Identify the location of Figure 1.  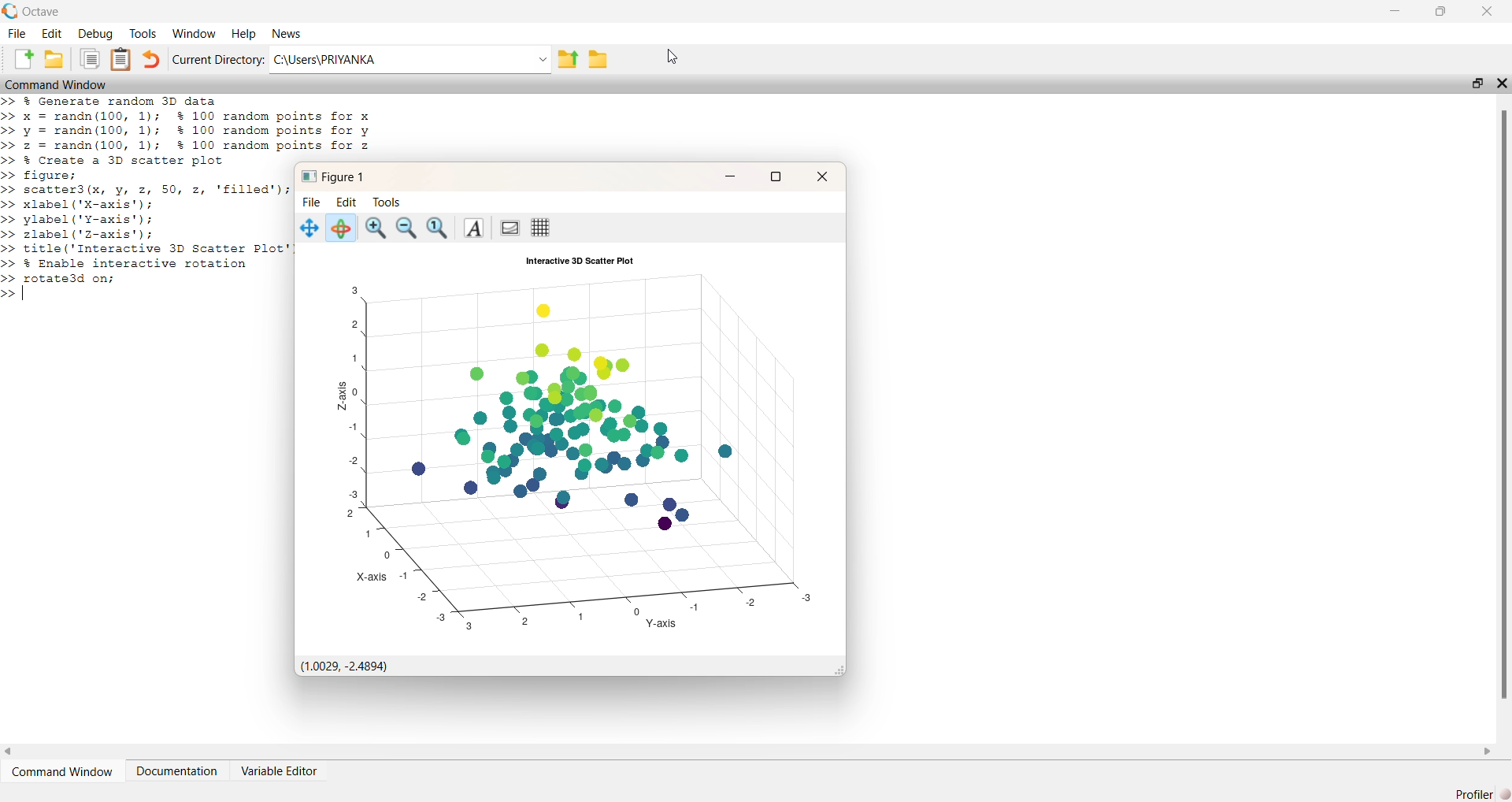
(333, 177).